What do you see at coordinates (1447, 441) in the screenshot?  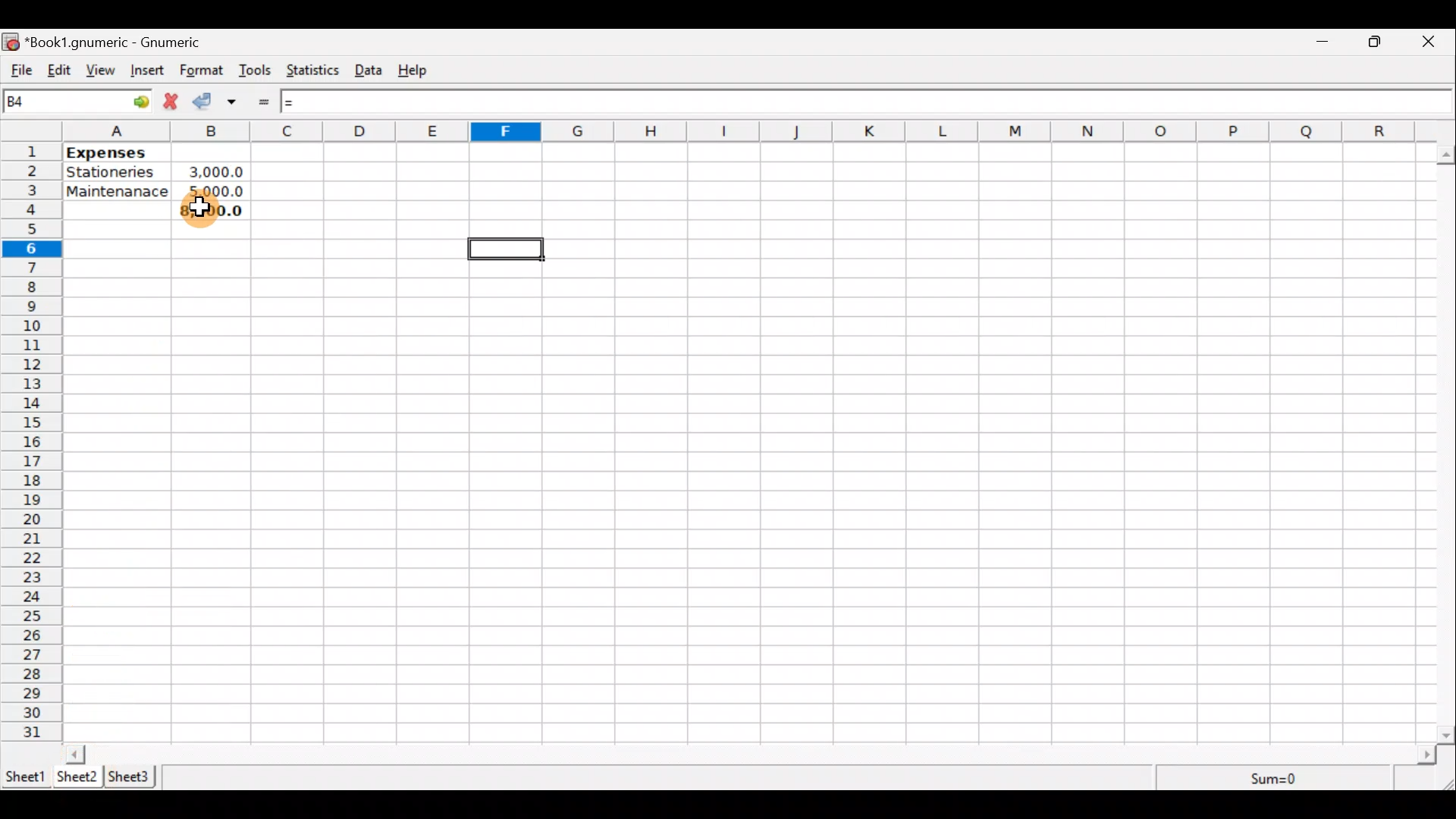 I see `Scroll bar` at bounding box center [1447, 441].